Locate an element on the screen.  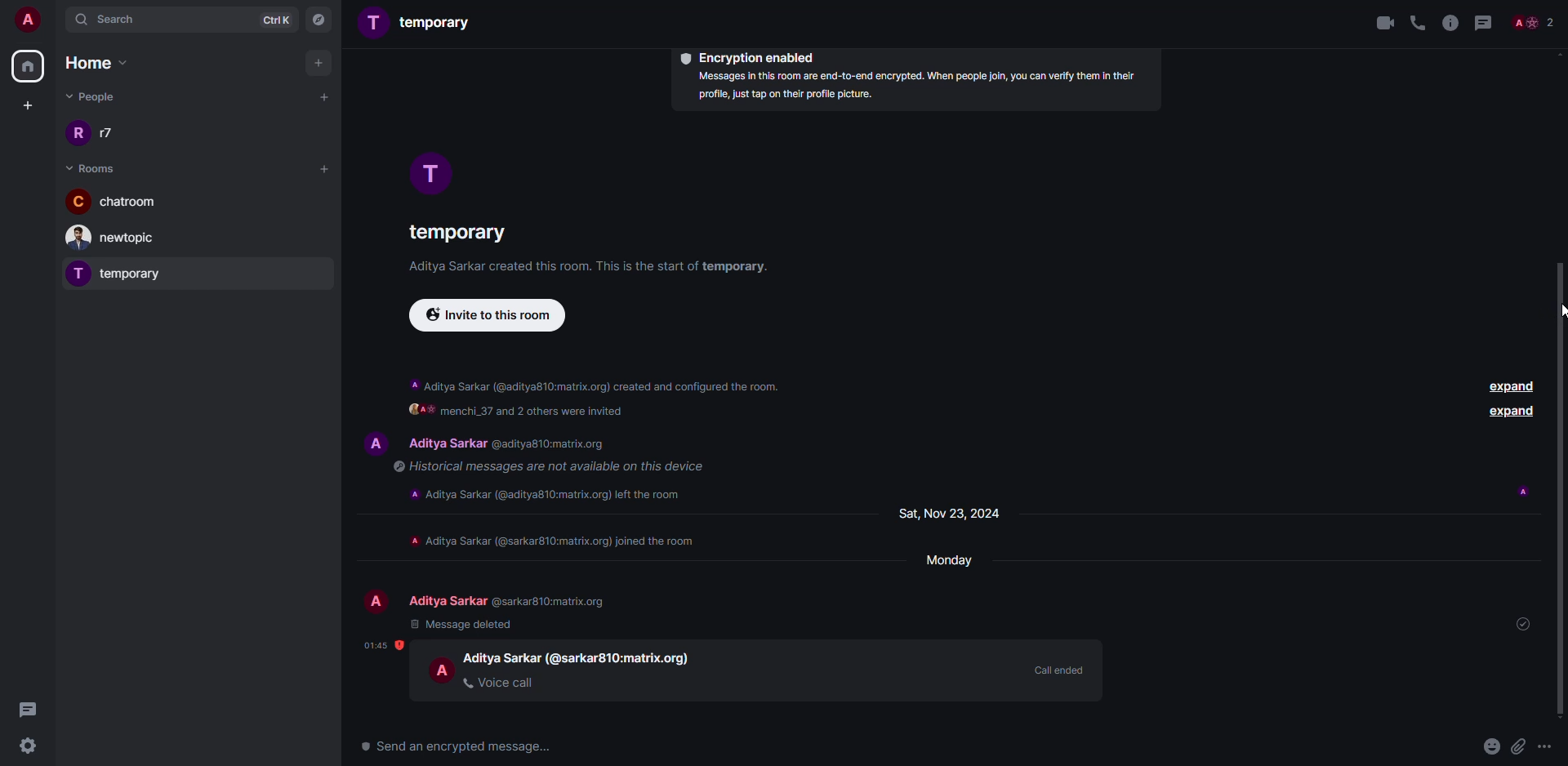
send a encrypted message is located at coordinates (466, 746).